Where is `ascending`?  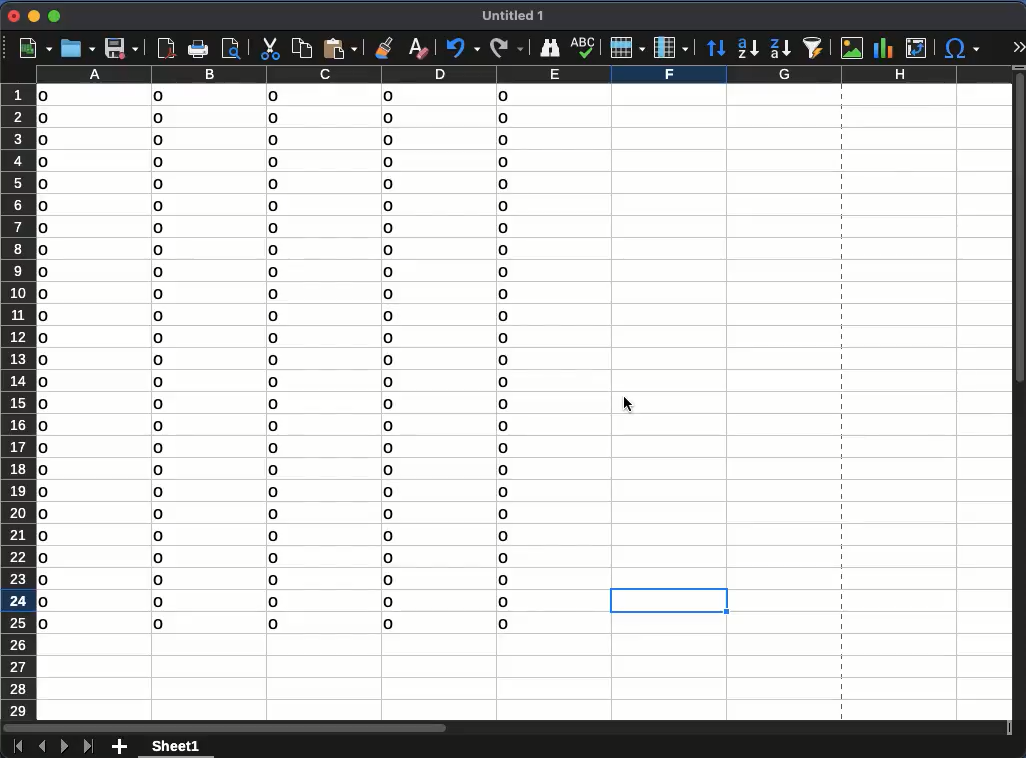 ascending is located at coordinates (747, 49).